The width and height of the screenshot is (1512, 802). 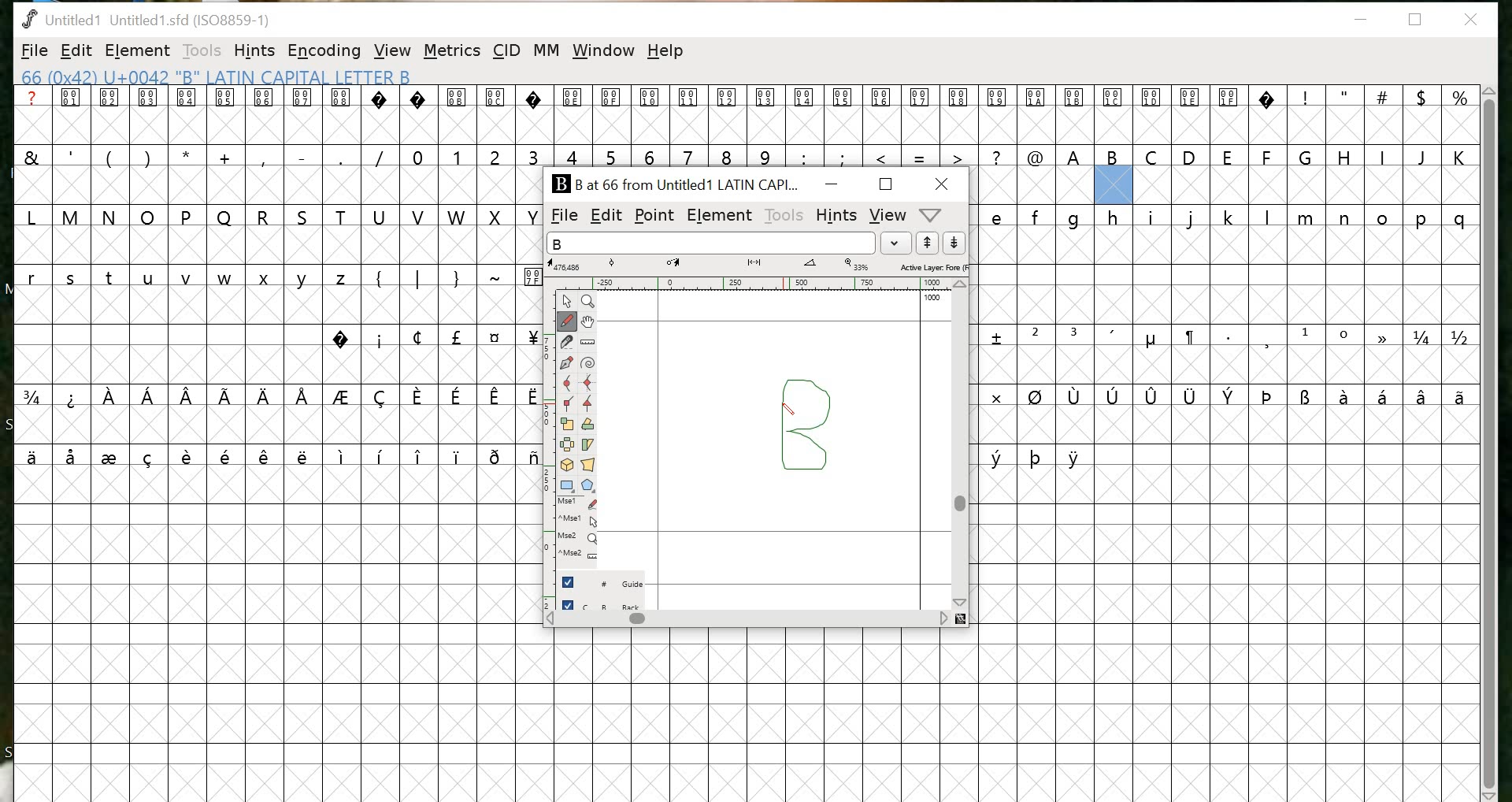 I want to click on Rotate, so click(x=588, y=425).